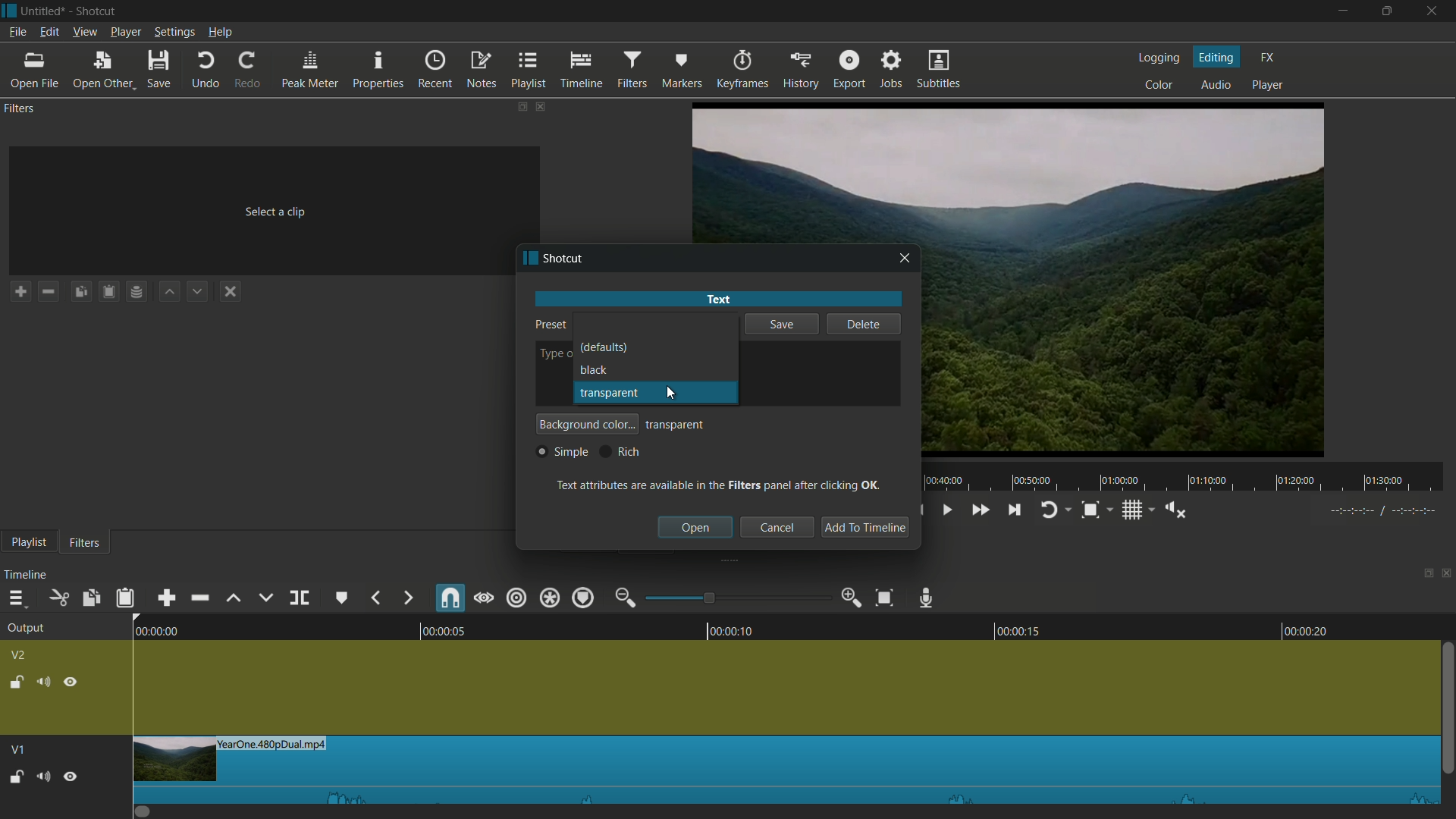 This screenshot has width=1456, height=819. I want to click on v2, so click(20, 654).